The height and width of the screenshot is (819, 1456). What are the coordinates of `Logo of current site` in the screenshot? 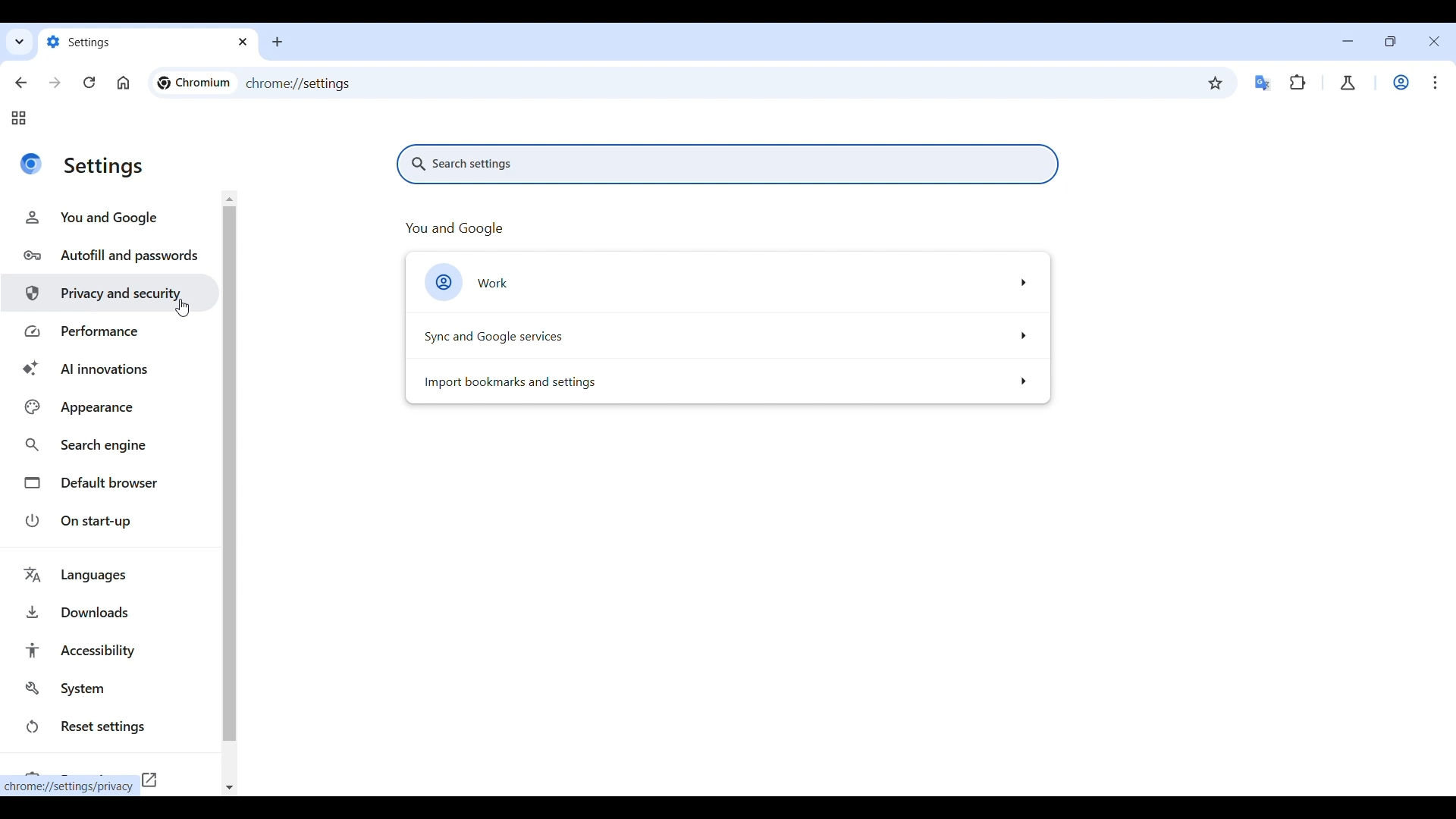 It's located at (31, 164).